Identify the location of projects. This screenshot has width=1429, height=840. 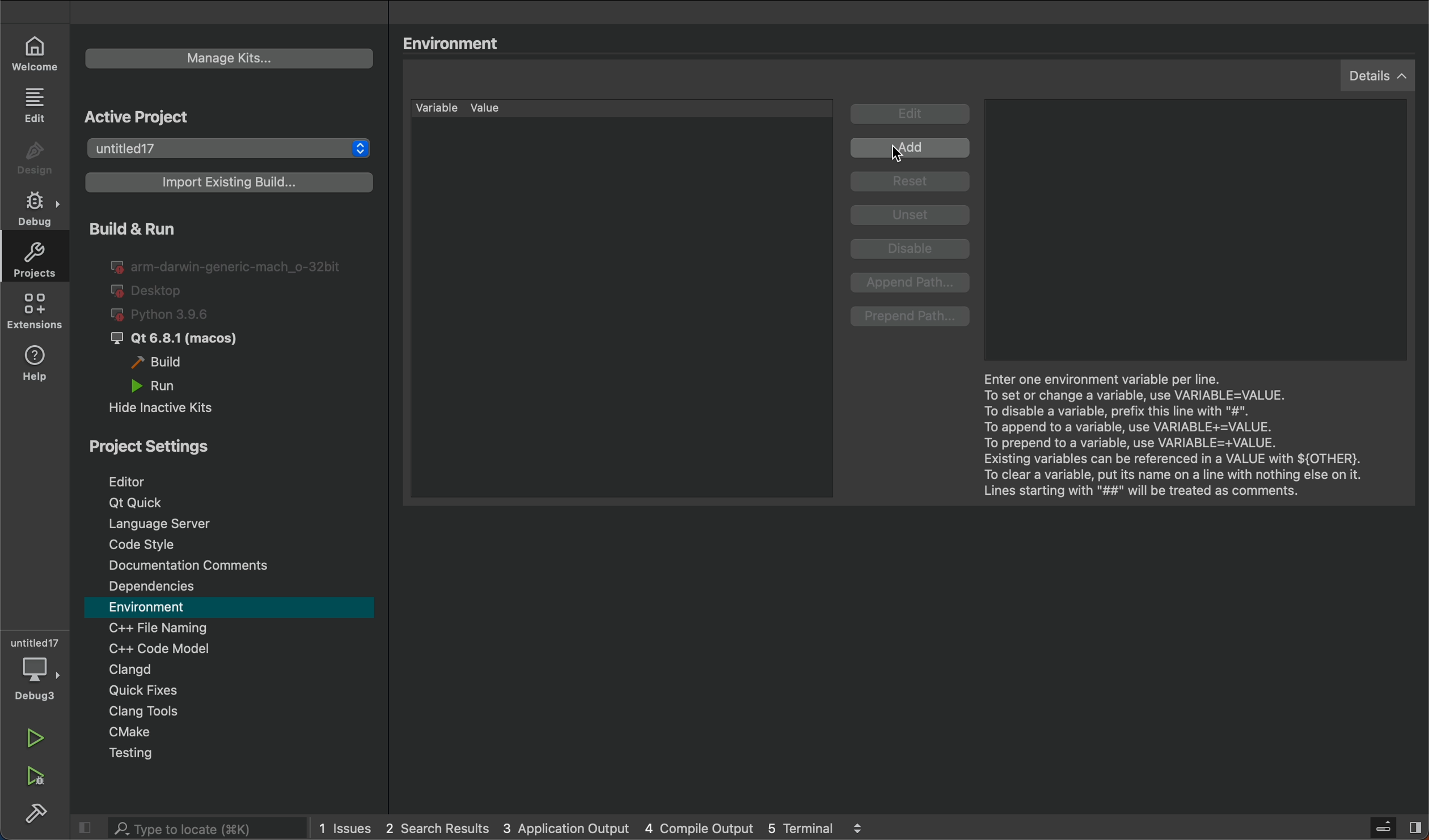
(231, 149).